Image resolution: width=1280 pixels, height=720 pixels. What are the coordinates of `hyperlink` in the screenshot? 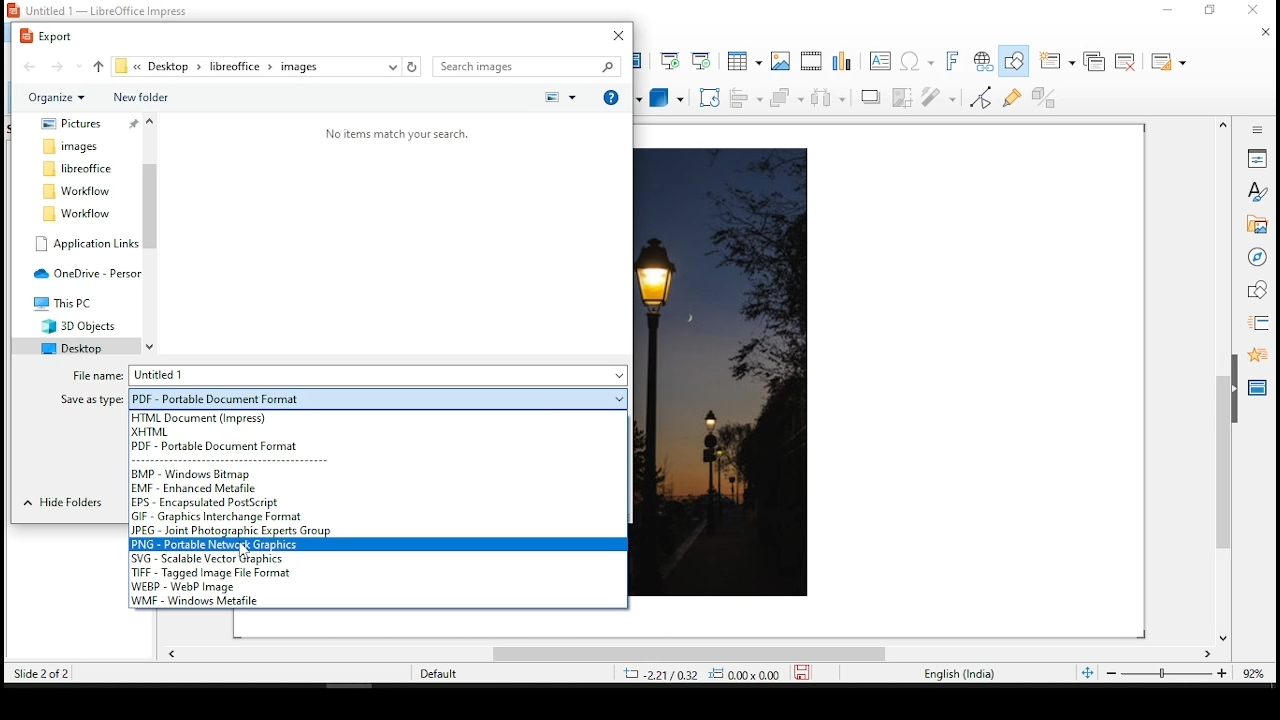 It's located at (983, 59).